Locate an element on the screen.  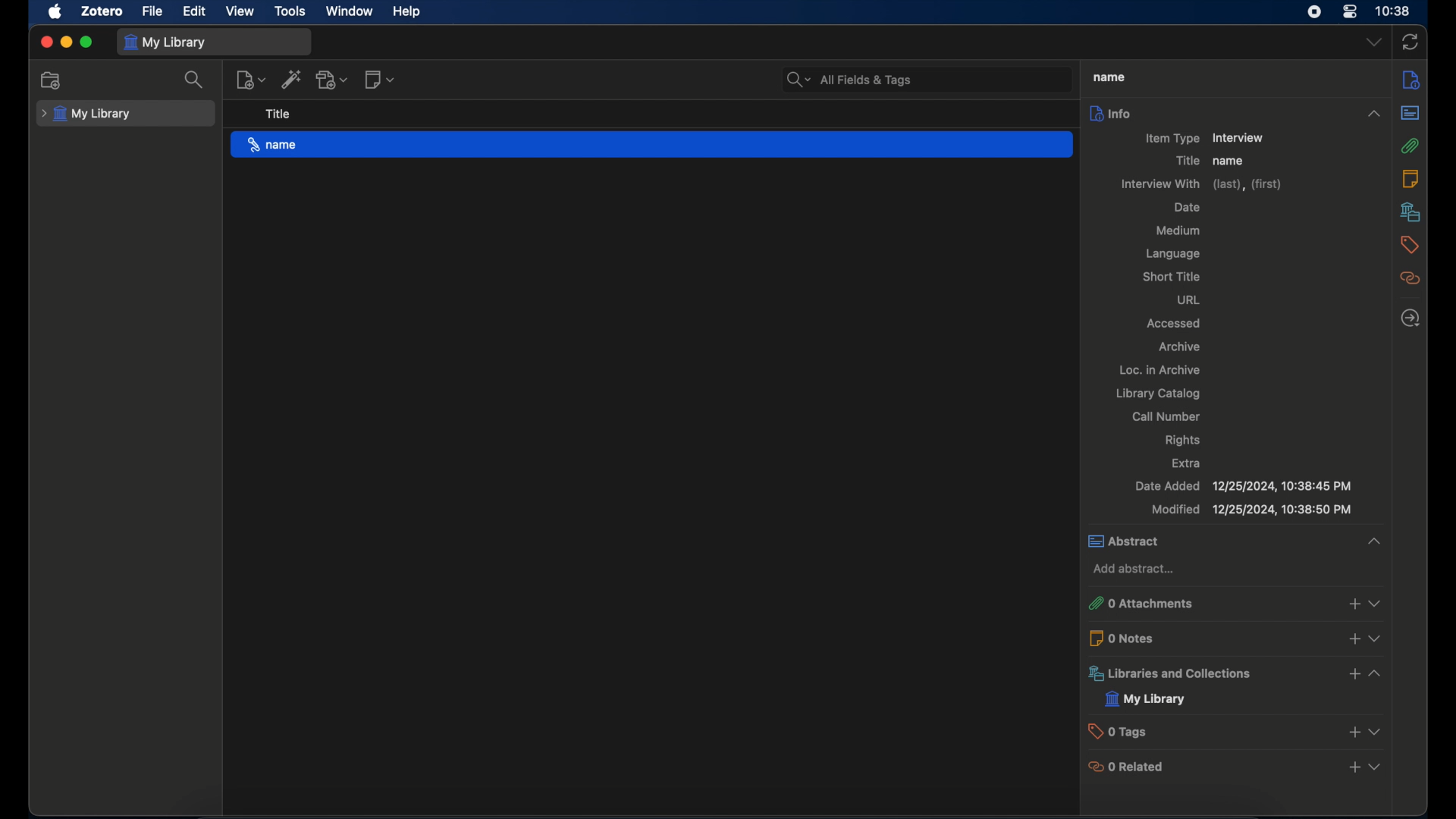
loc. in  archive is located at coordinates (1160, 369).